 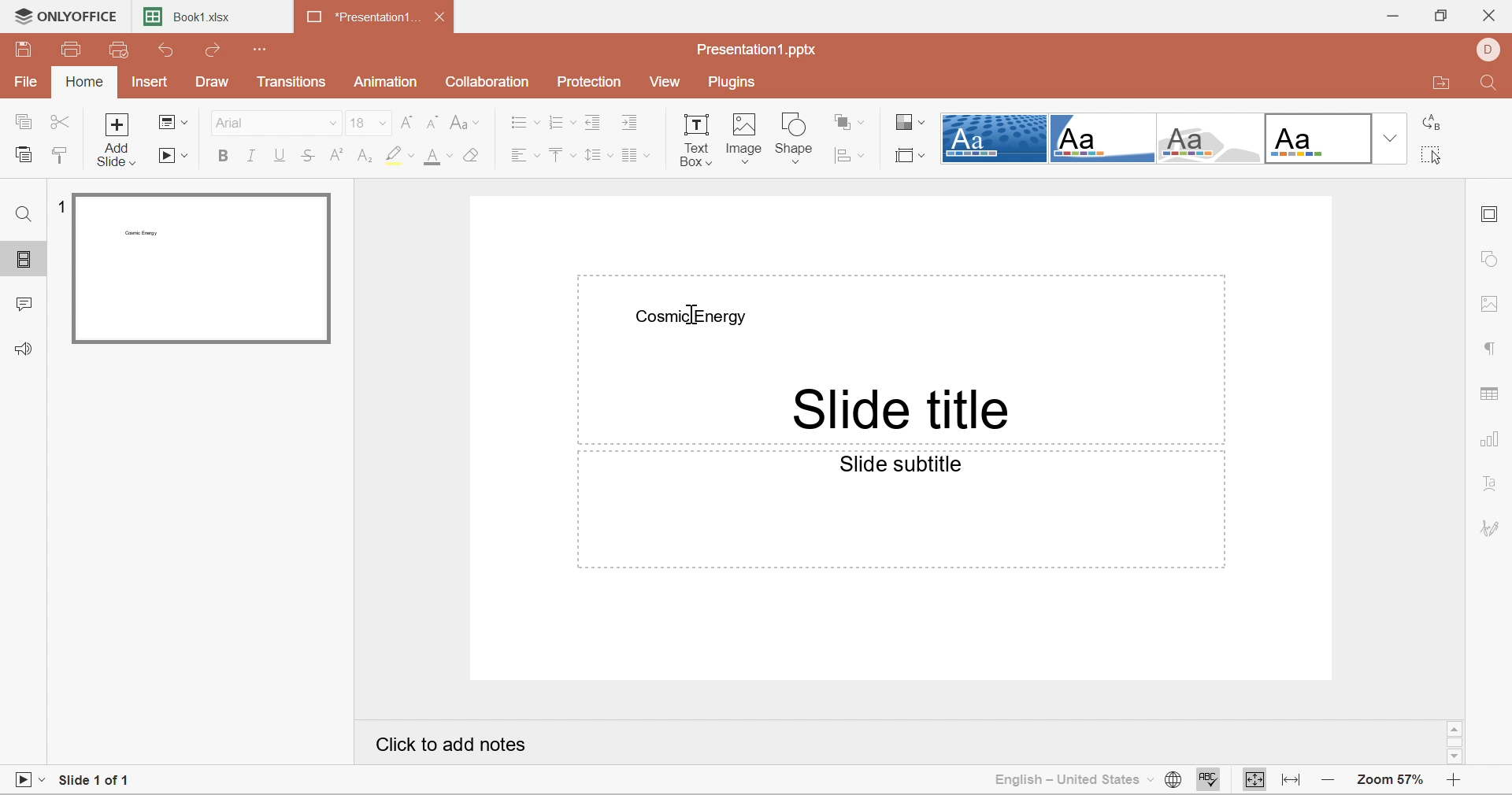 I want to click on Increment font size, so click(x=407, y=122).